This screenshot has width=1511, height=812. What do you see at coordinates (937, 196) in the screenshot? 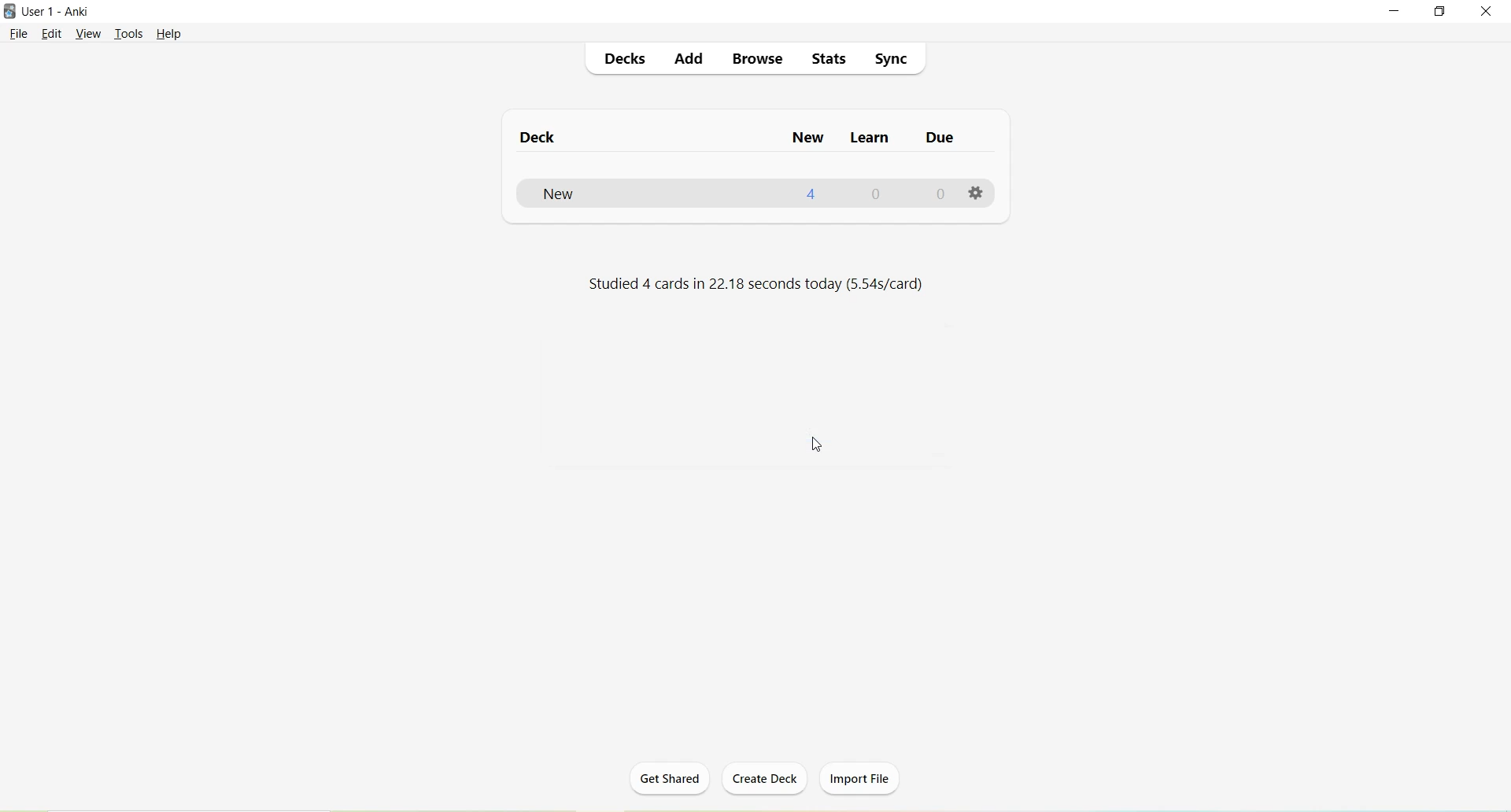
I see `0` at bounding box center [937, 196].